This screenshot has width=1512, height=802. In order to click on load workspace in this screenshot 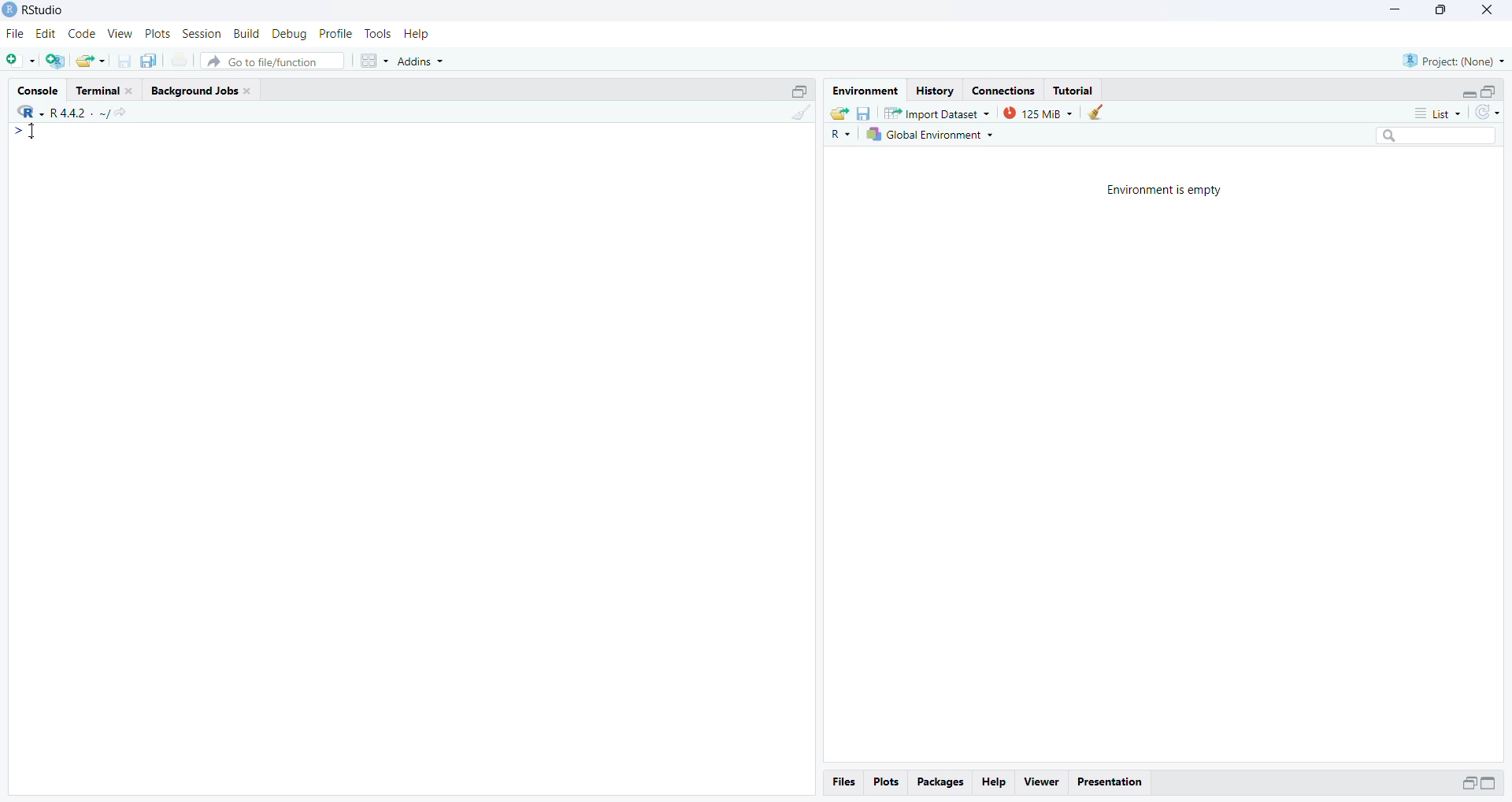, I will do `click(839, 113)`.